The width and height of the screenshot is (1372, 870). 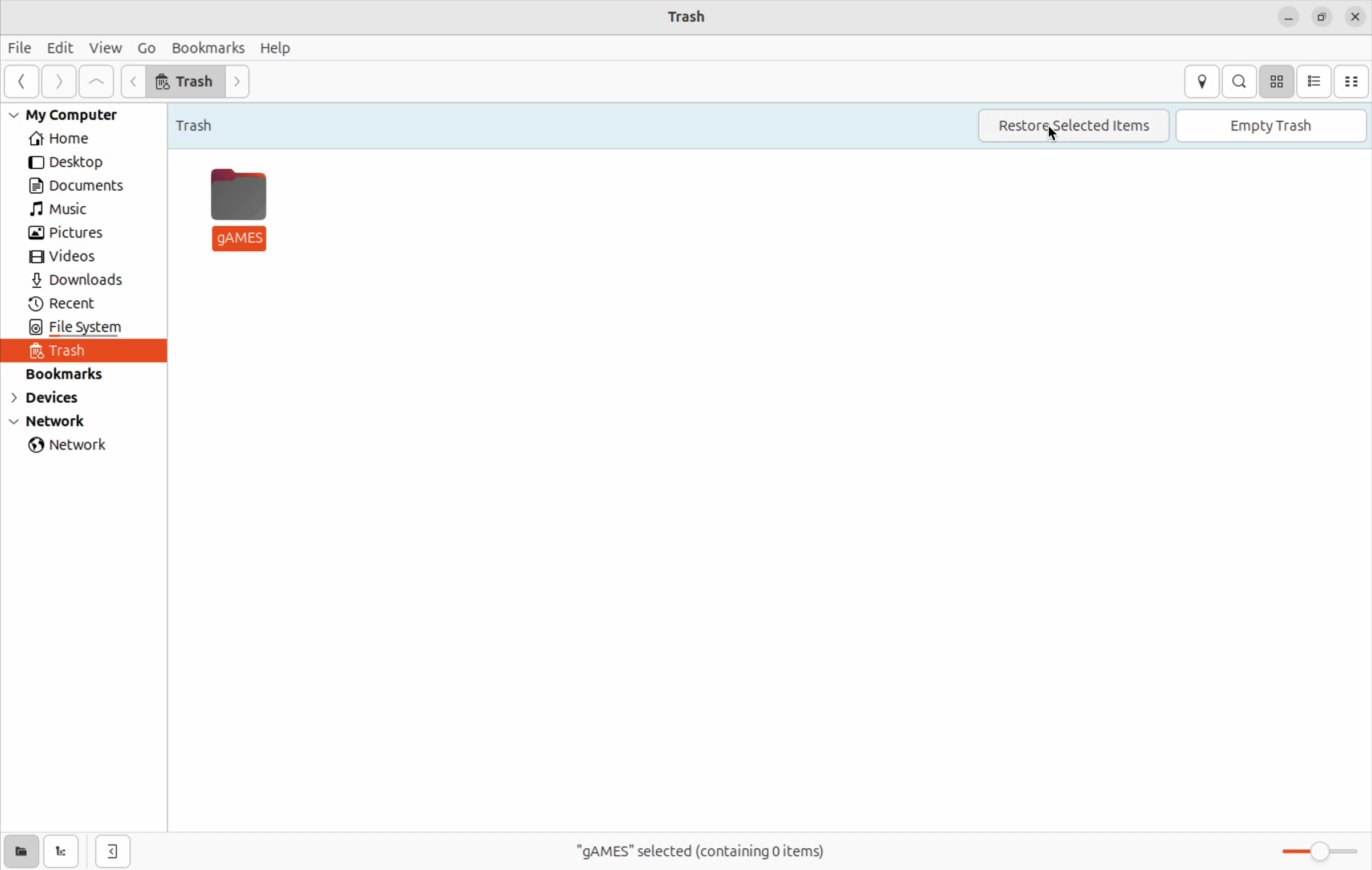 I want to click on minimize, so click(x=1288, y=18).